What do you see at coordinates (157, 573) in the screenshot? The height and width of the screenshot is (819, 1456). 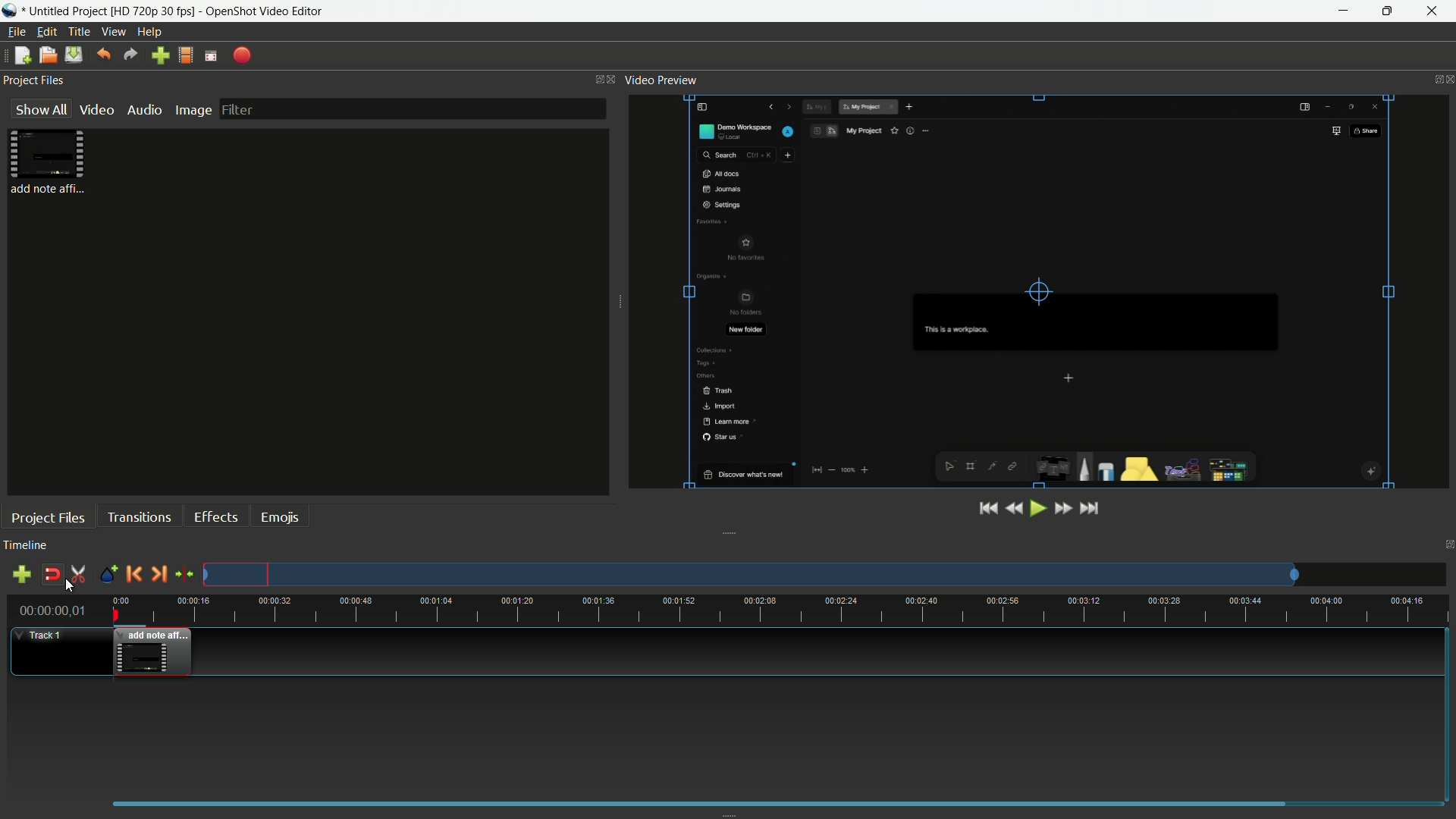 I see `next marker` at bounding box center [157, 573].